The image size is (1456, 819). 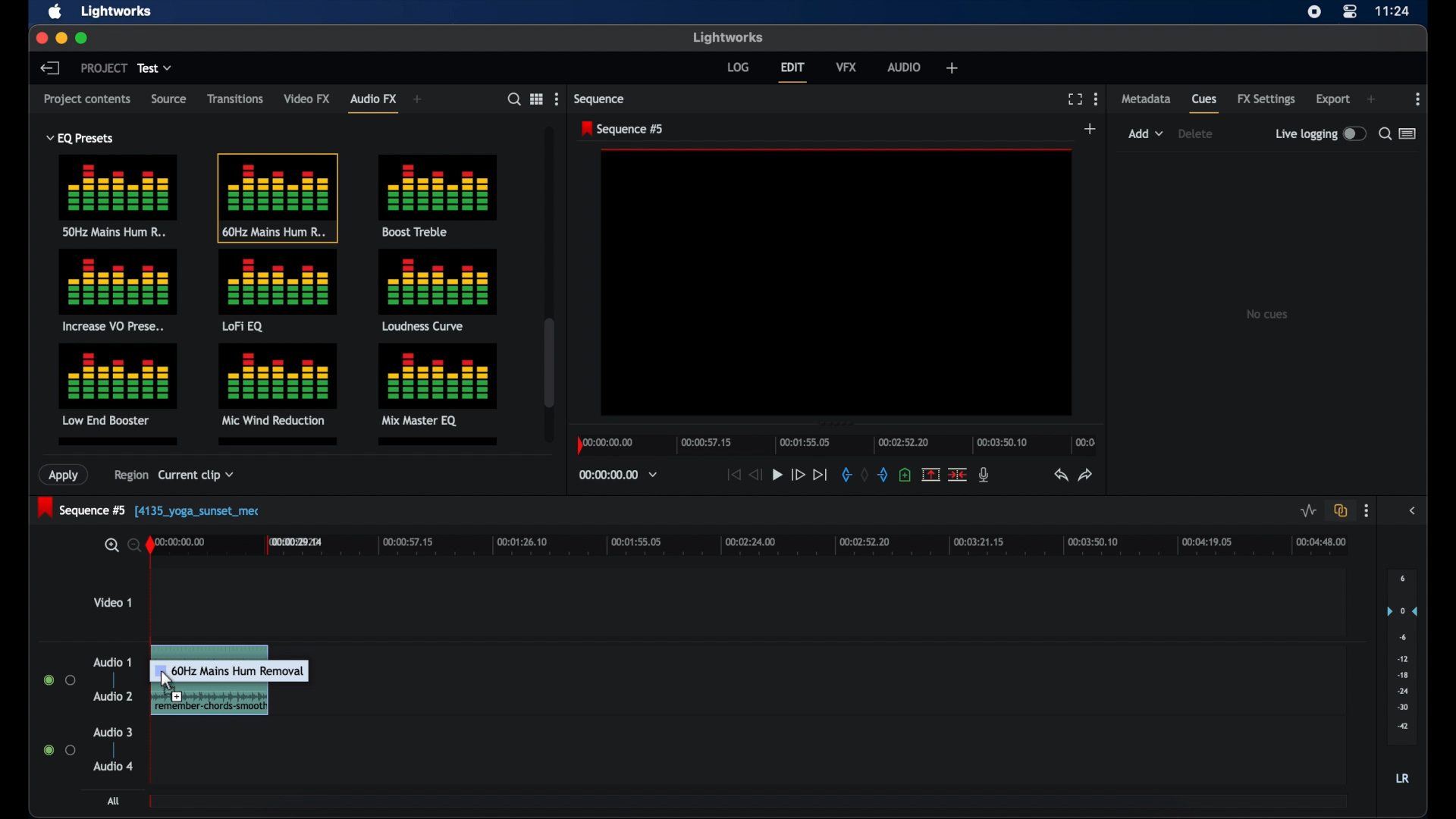 I want to click on add, so click(x=1090, y=128).